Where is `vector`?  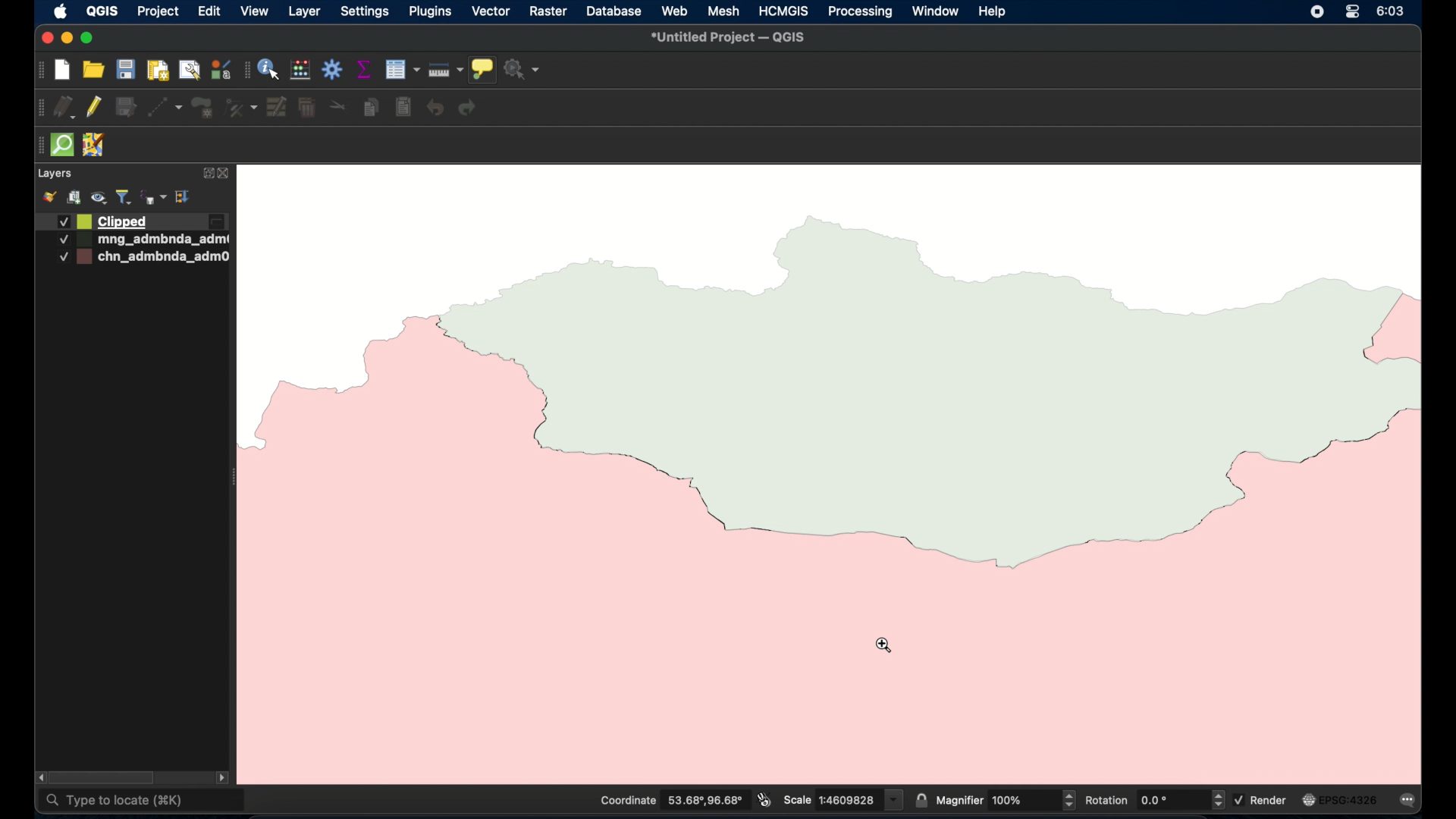 vector is located at coordinates (491, 12).